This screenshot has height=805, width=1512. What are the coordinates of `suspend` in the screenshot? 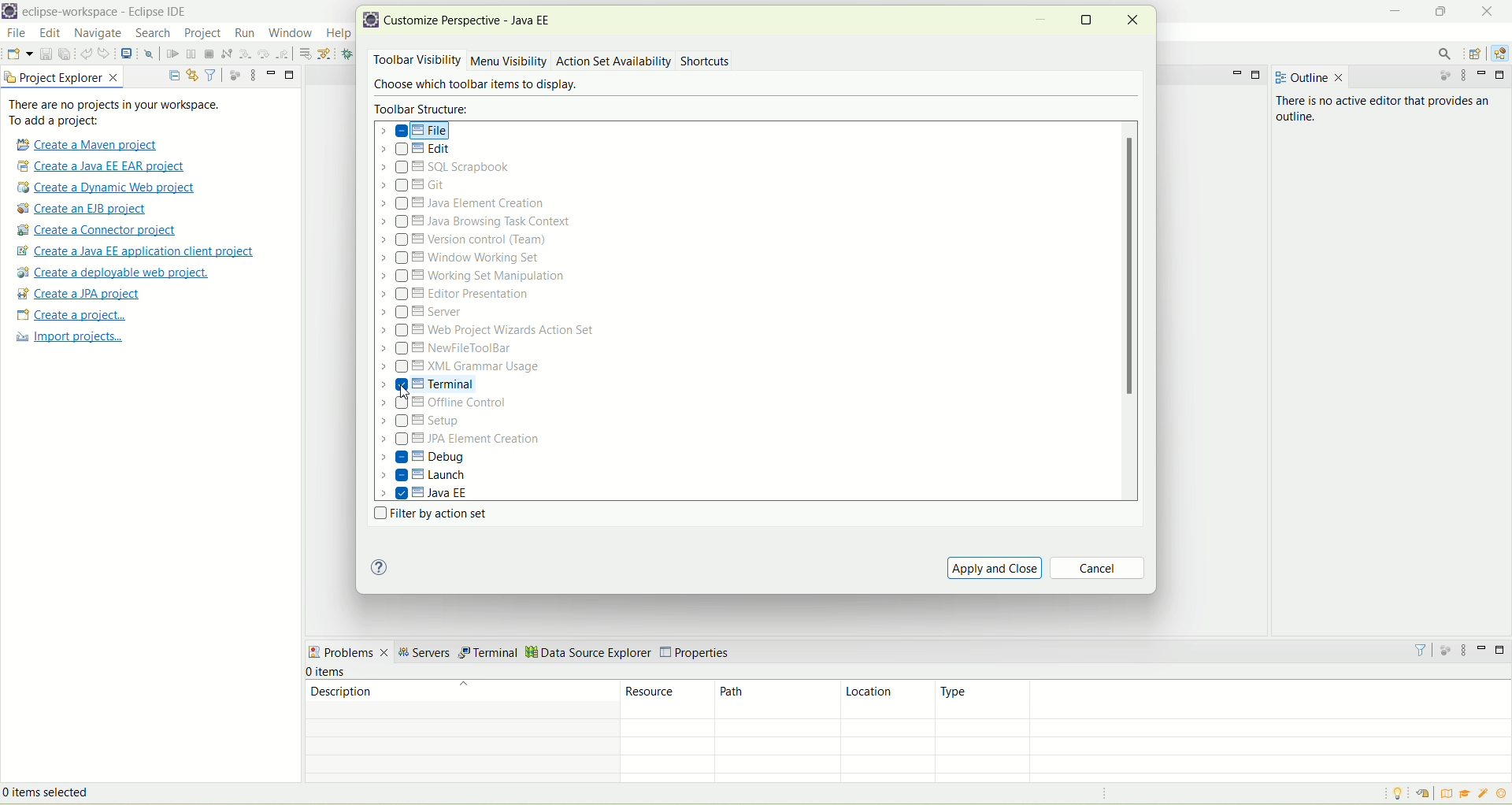 It's located at (190, 55).